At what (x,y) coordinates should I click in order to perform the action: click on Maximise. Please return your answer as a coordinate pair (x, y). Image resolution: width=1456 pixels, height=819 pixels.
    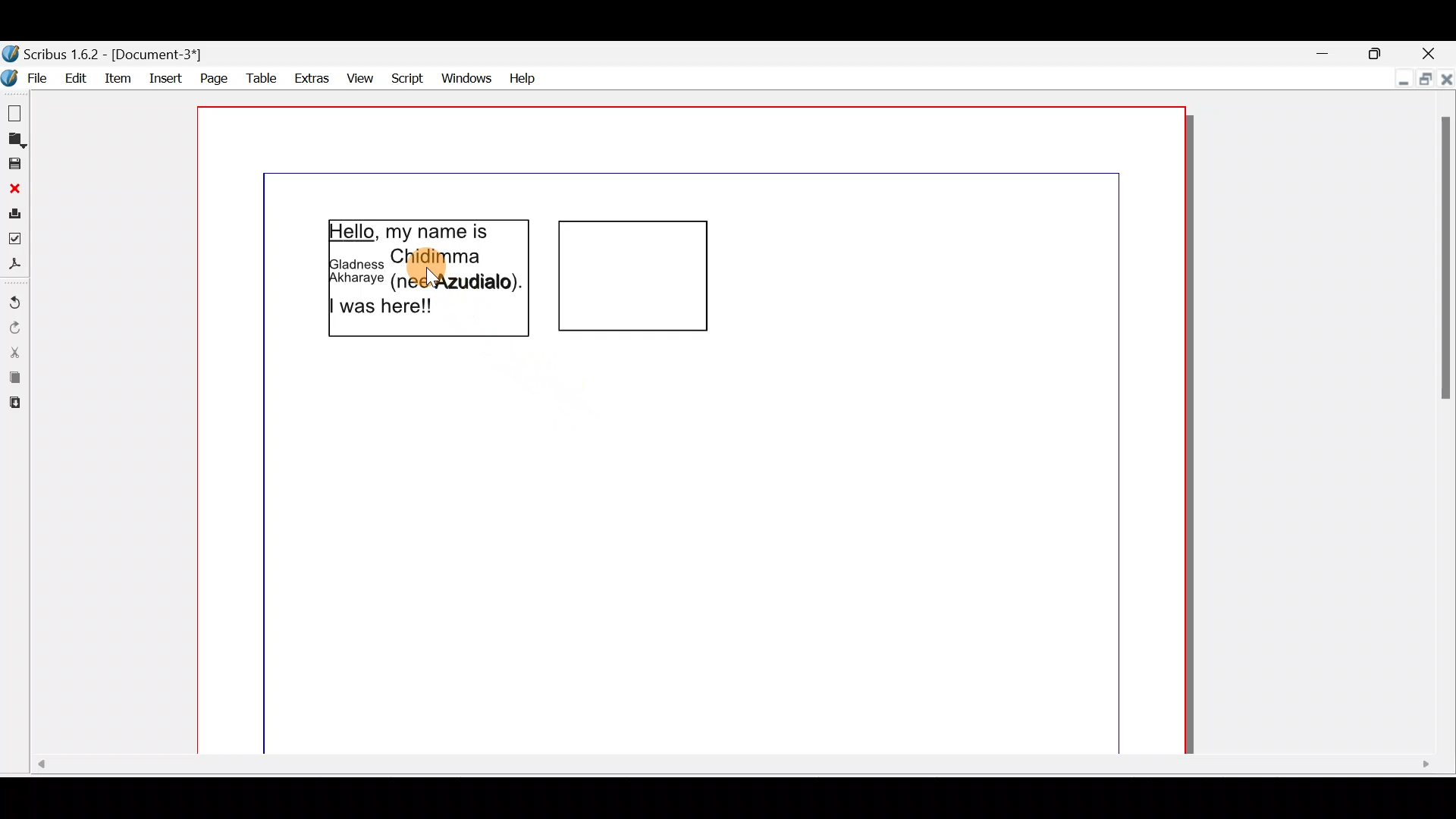
    Looking at the image, I should click on (1422, 78).